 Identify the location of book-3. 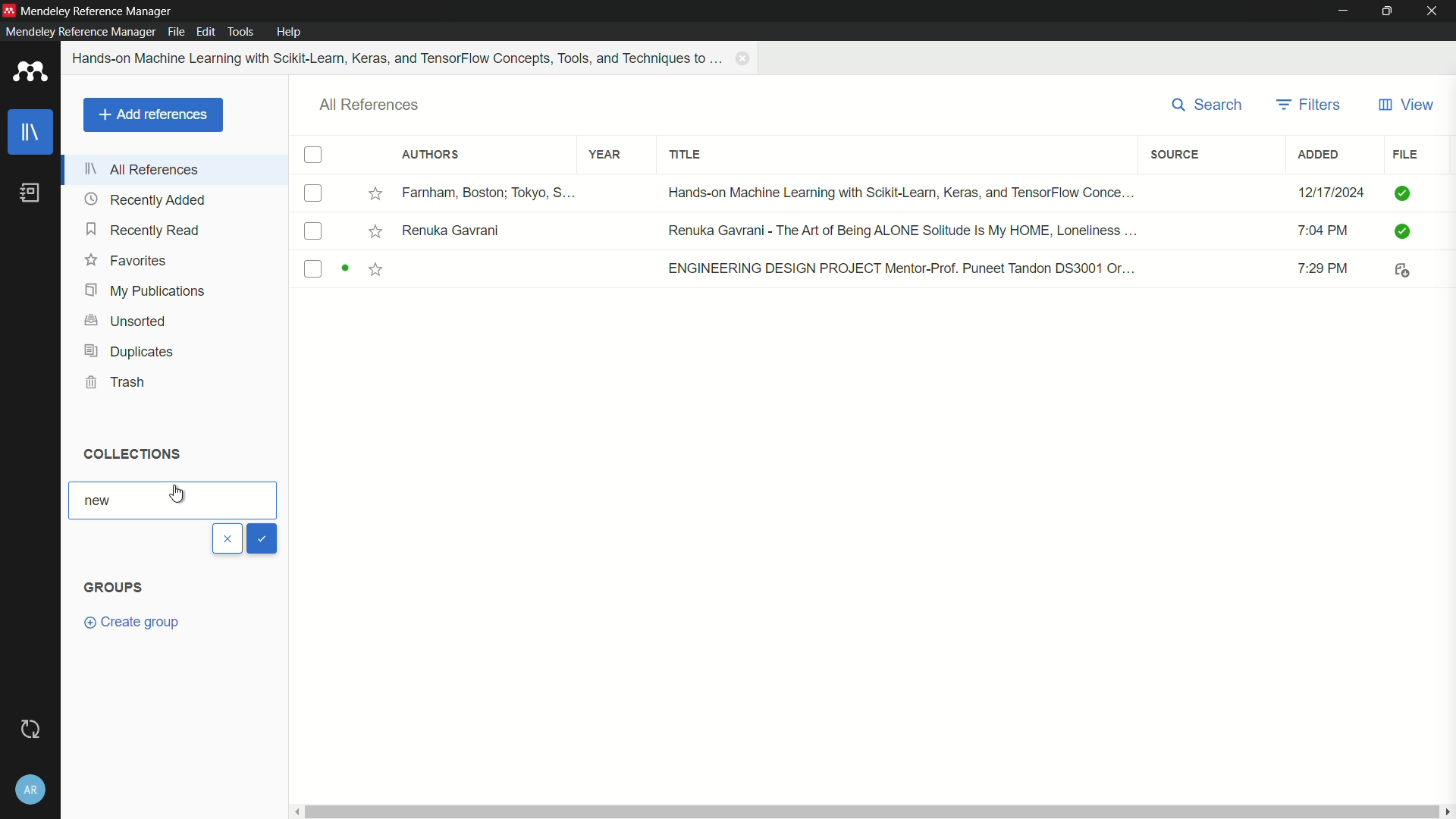
(865, 270).